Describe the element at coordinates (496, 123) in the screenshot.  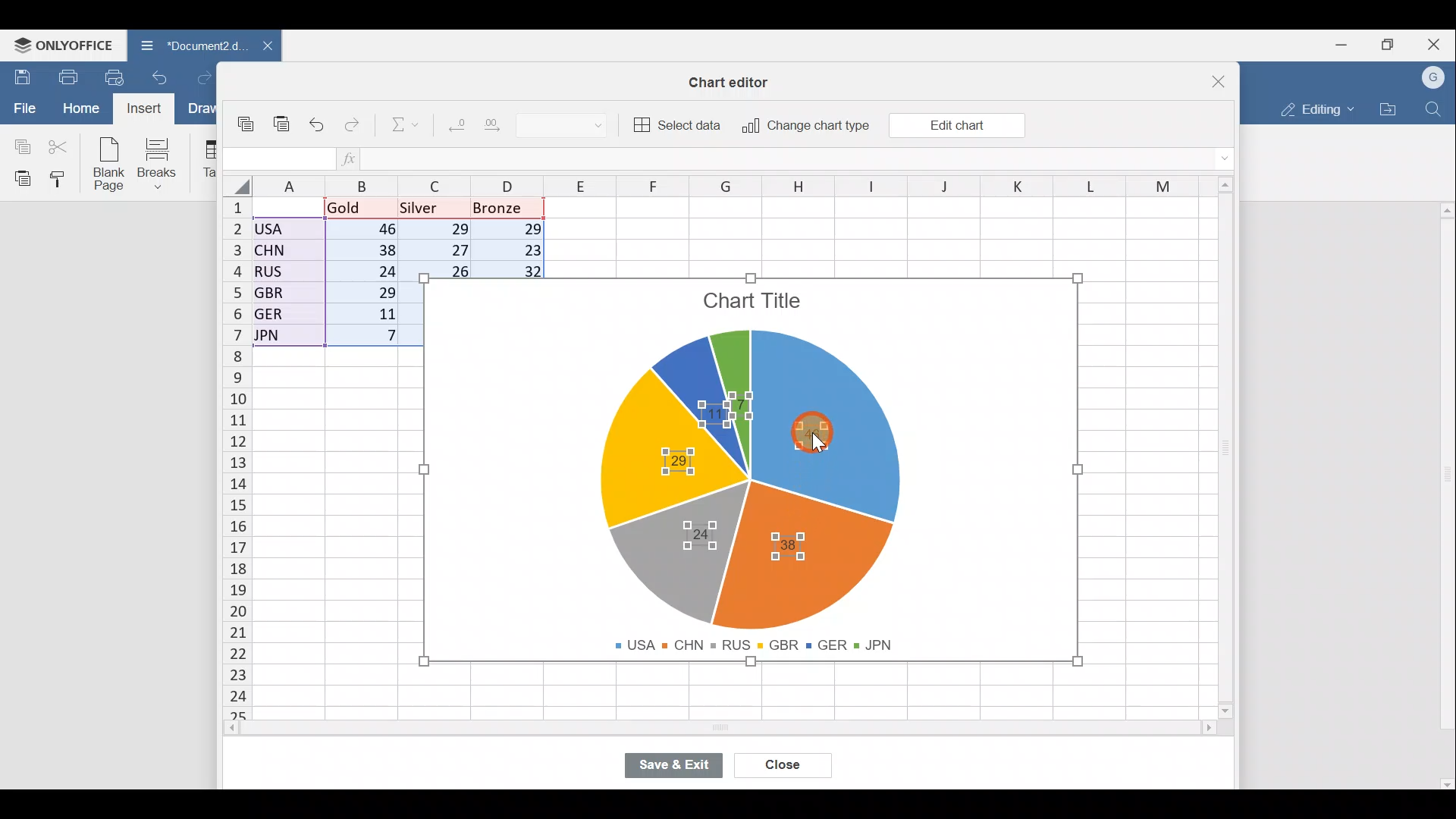
I see `Increase decimal` at that location.